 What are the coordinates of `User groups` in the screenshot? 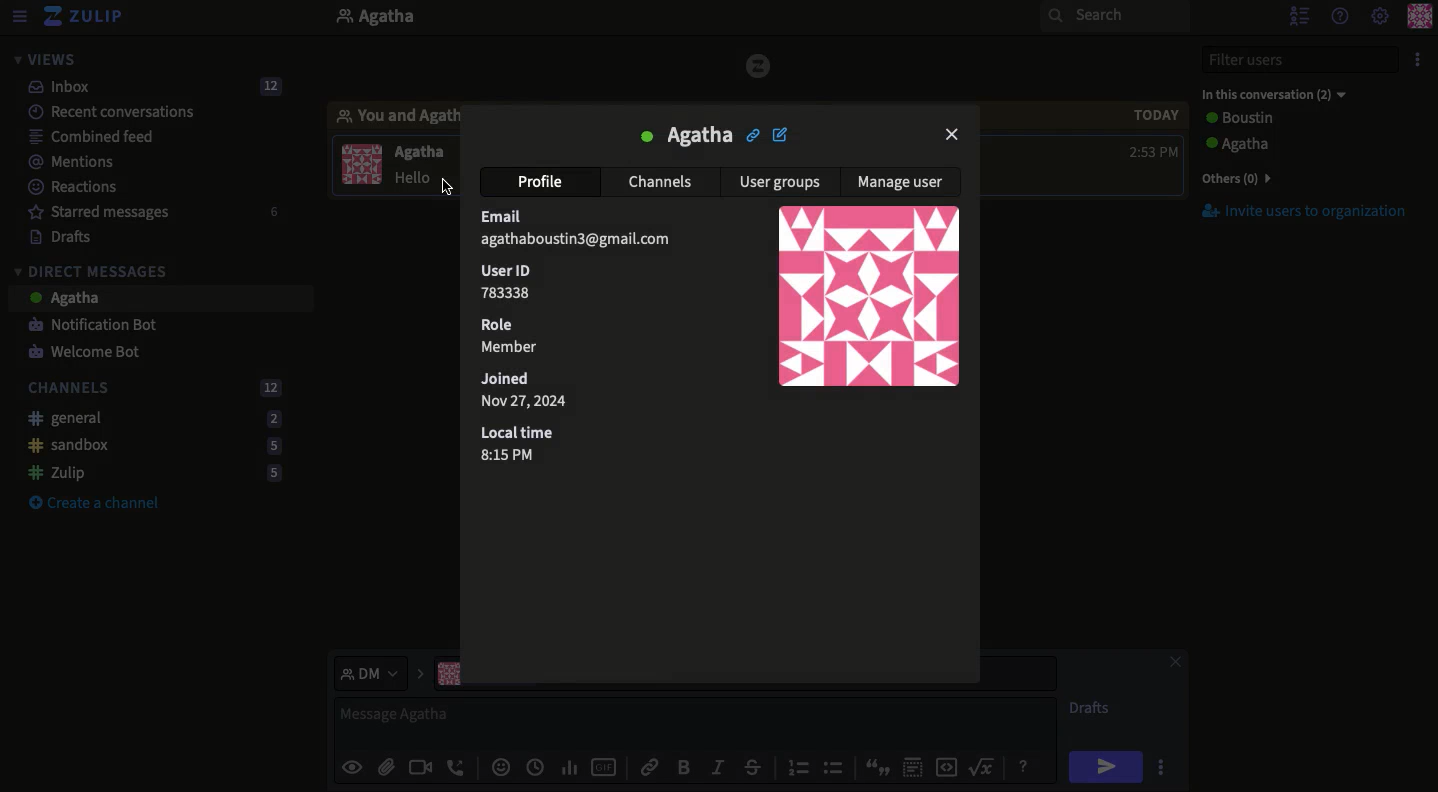 It's located at (782, 182).